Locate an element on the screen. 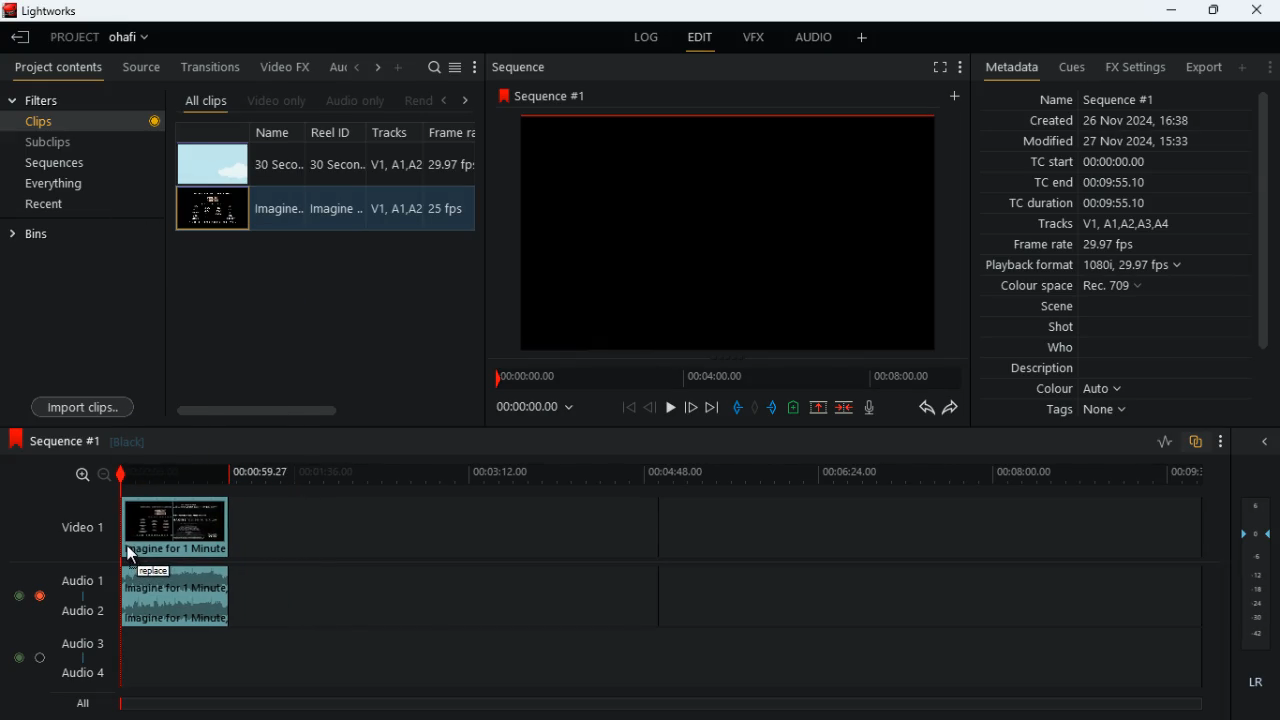 The image size is (1280, 720). scene is located at coordinates (1047, 307).